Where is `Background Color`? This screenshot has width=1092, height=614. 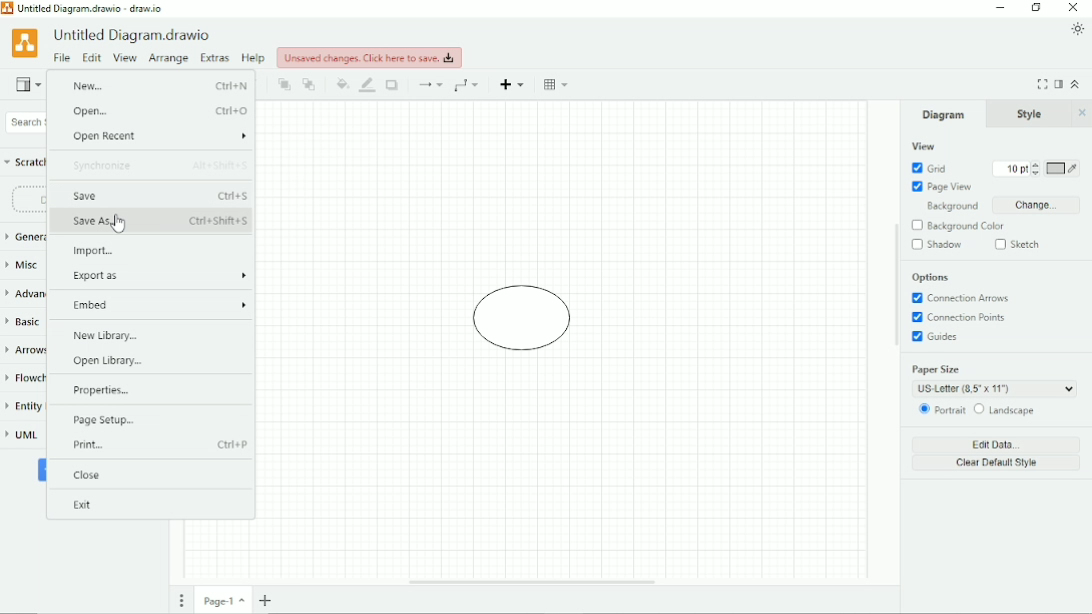
Background Color is located at coordinates (957, 226).